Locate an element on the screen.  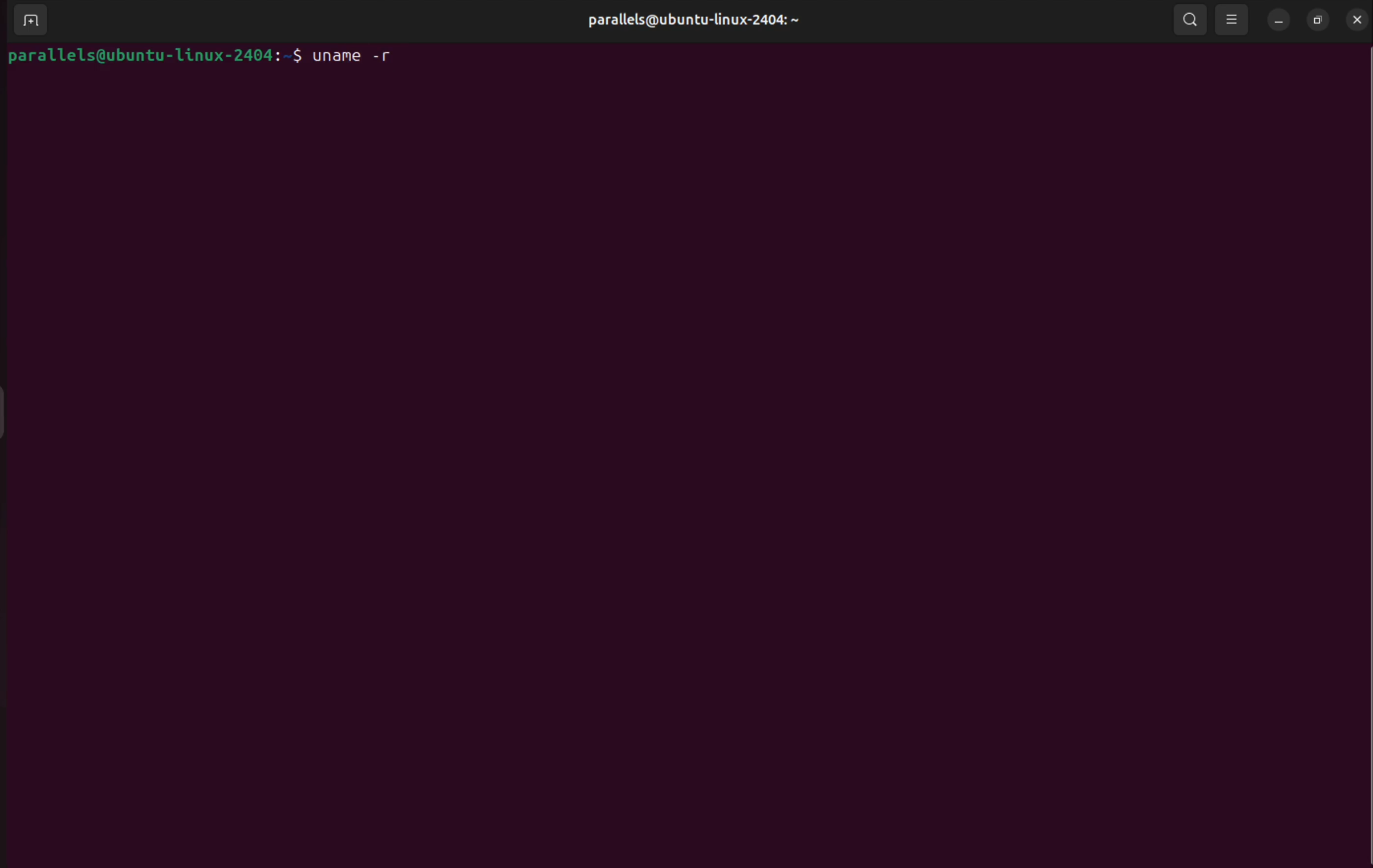
close is located at coordinates (1352, 26).